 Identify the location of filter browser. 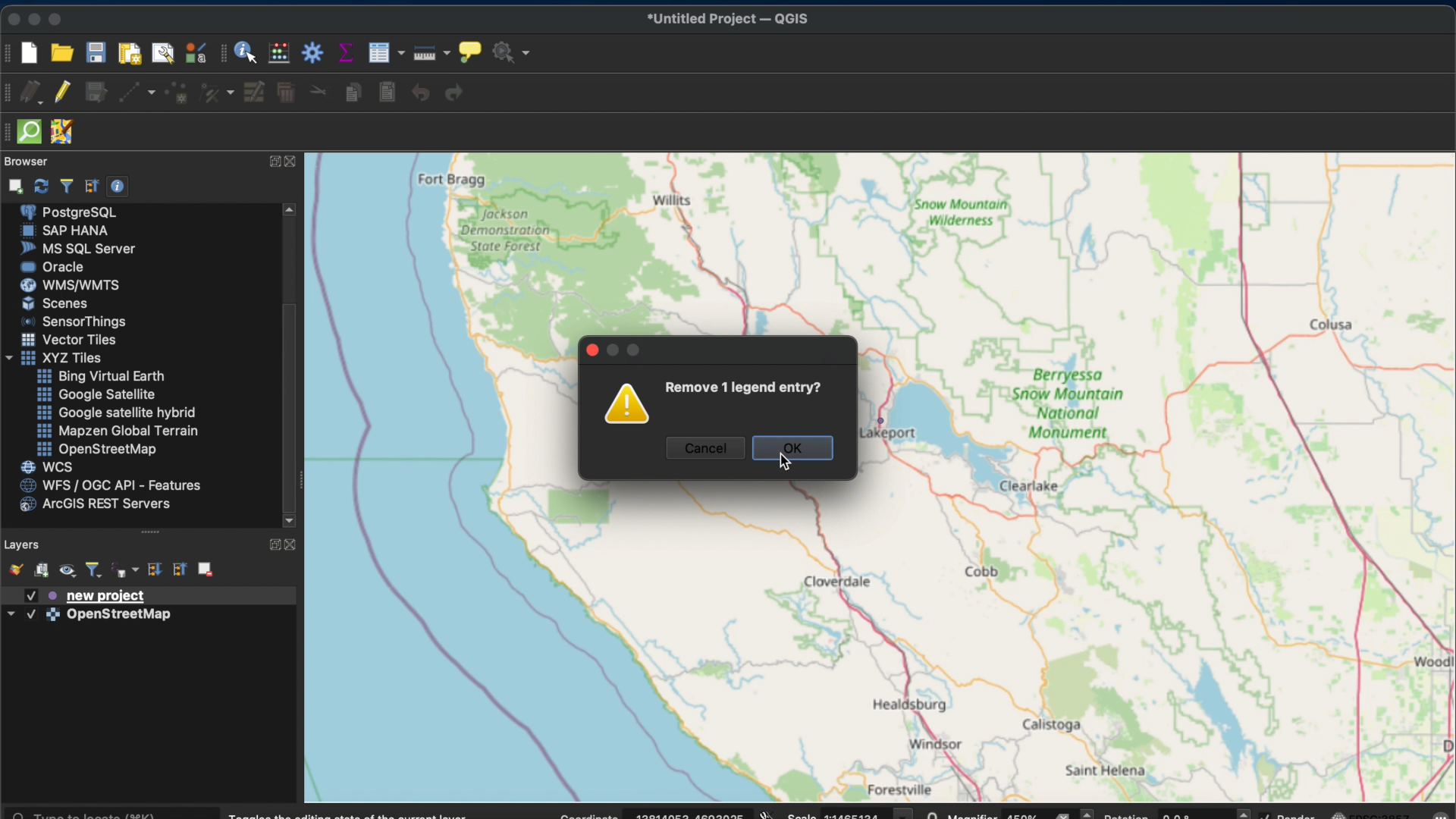
(65, 186).